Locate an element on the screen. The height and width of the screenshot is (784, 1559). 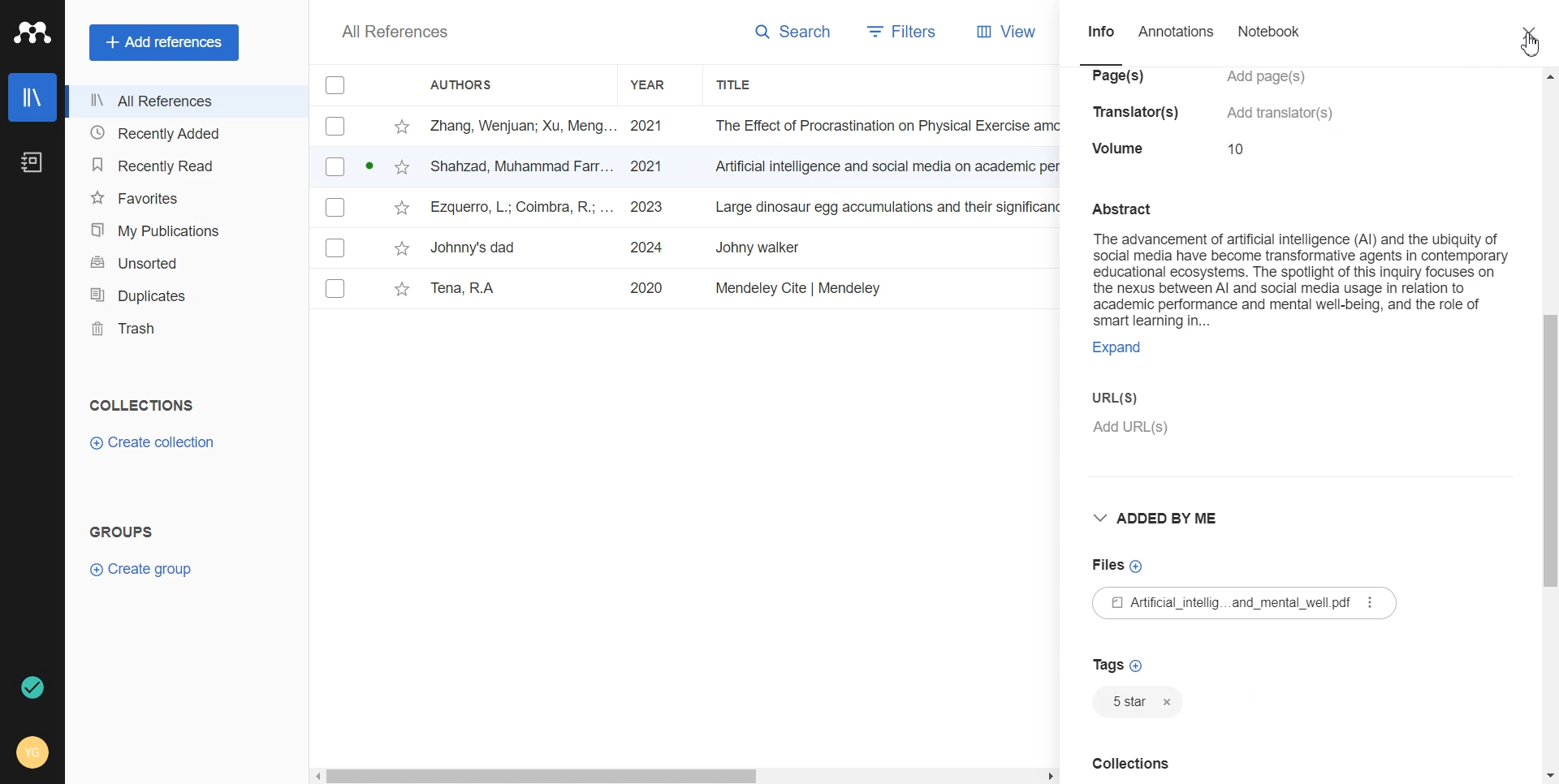
All References is located at coordinates (396, 32).